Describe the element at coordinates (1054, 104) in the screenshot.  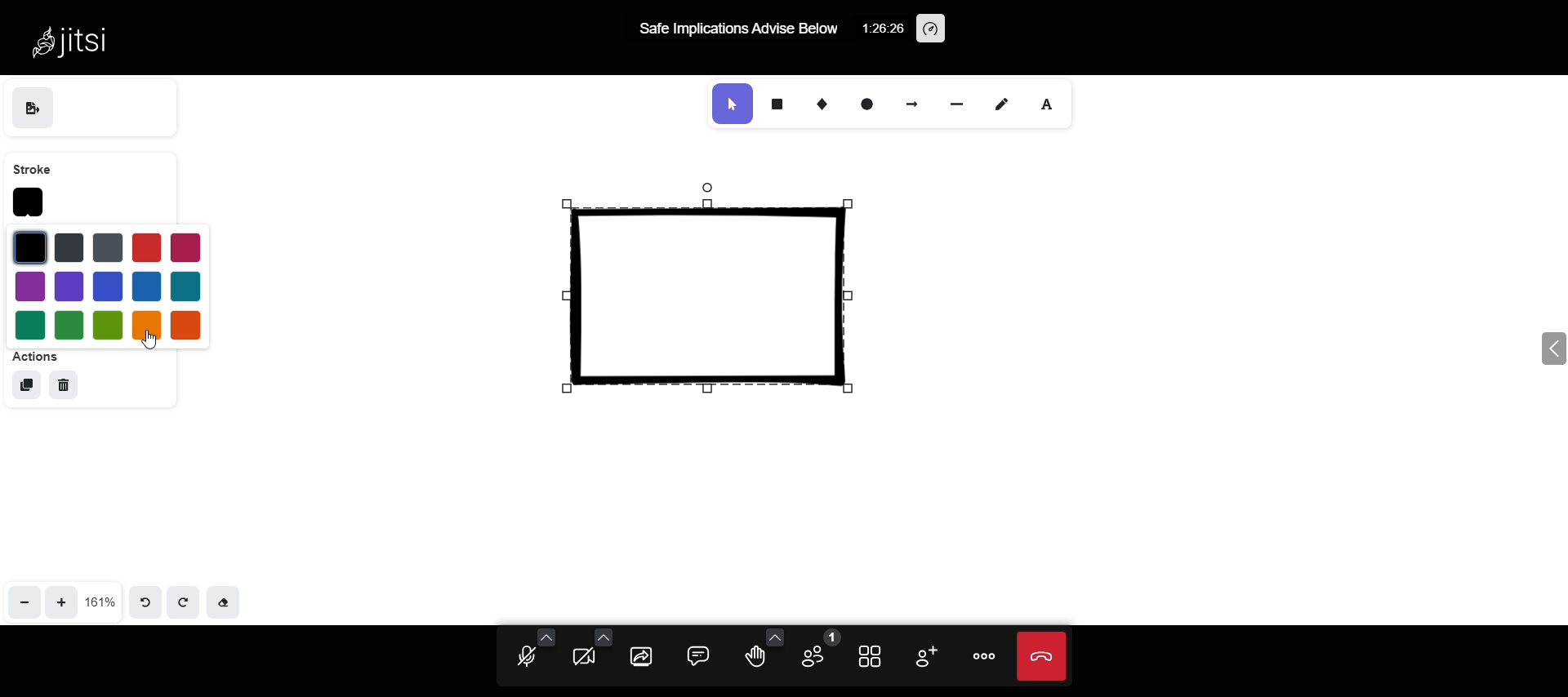
I see `font` at that location.